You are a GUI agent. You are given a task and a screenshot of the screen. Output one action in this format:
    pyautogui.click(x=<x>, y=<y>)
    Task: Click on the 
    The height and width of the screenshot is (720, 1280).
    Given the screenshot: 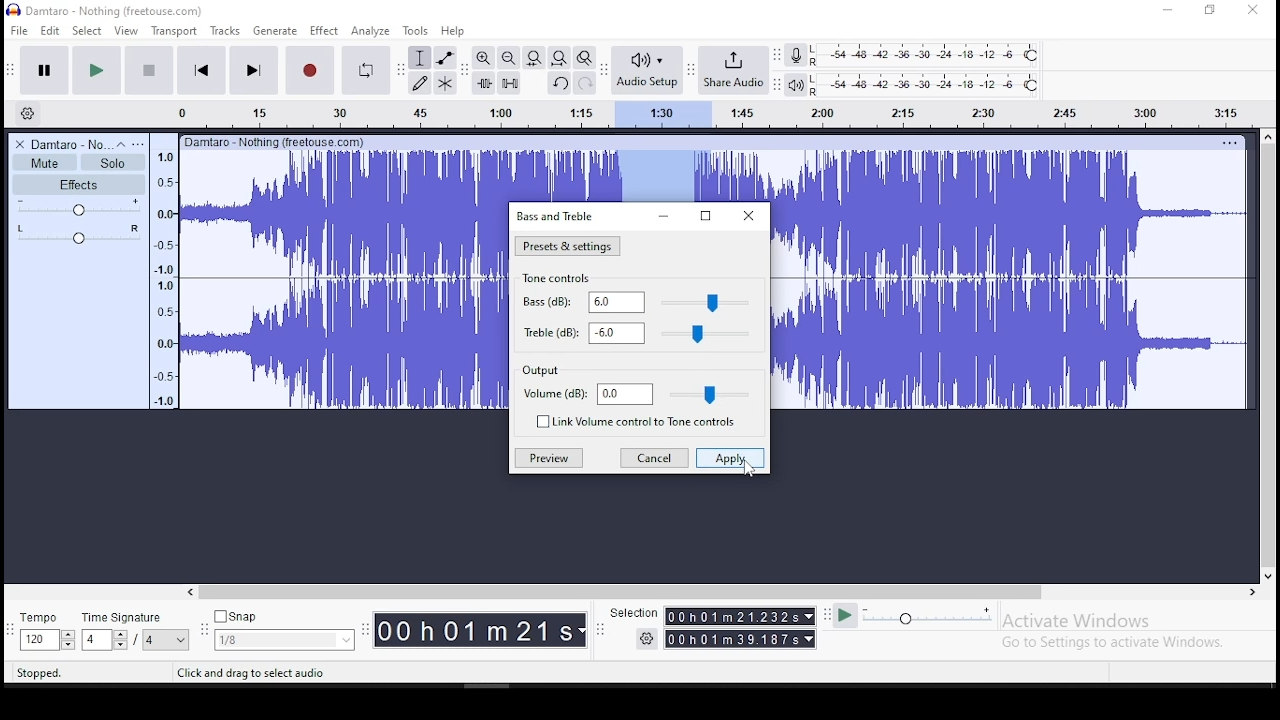 What is the action you would take?
    pyautogui.click(x=604, y=70)
    